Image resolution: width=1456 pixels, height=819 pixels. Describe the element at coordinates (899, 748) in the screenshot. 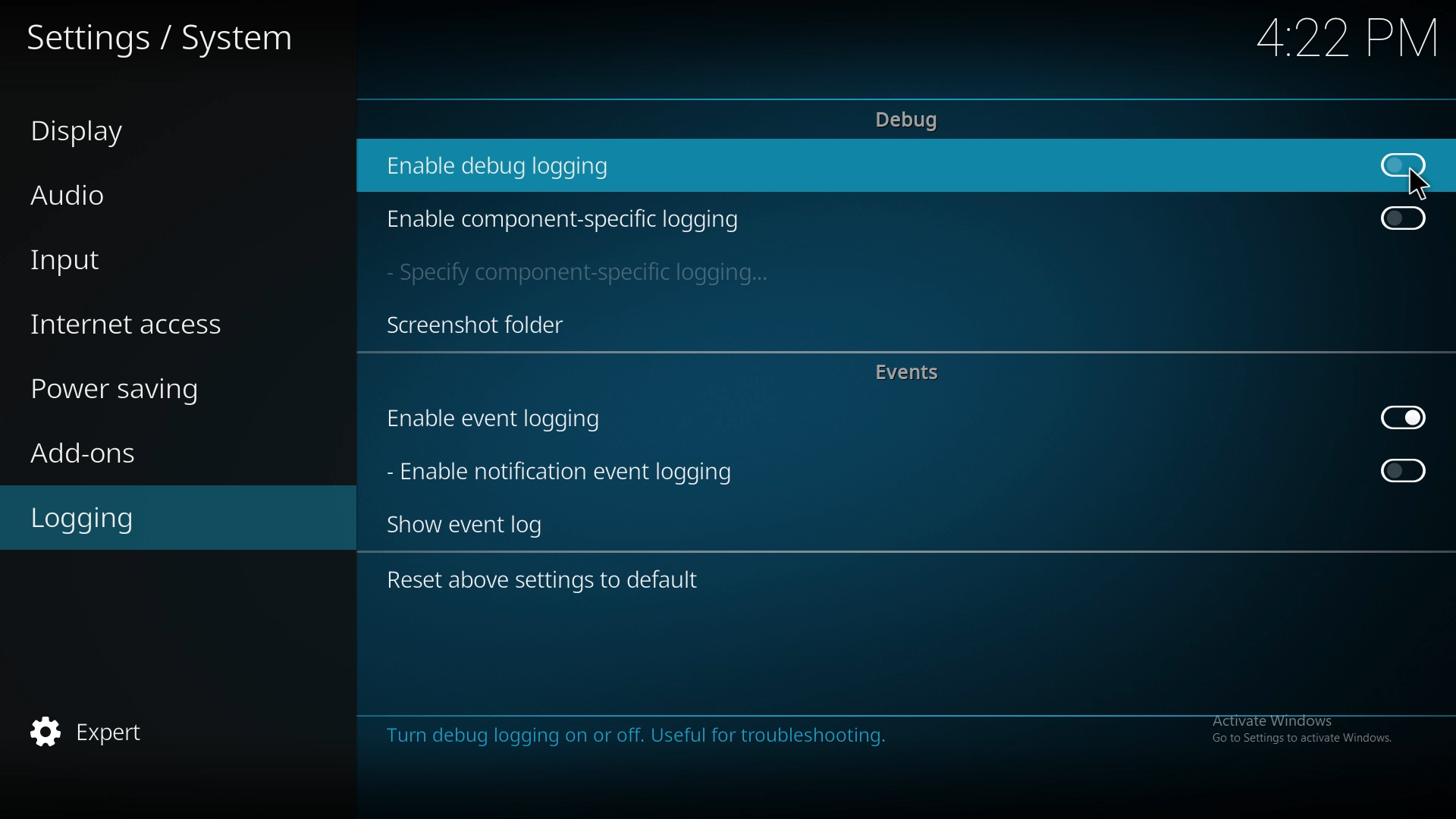

I see `info` at that location.